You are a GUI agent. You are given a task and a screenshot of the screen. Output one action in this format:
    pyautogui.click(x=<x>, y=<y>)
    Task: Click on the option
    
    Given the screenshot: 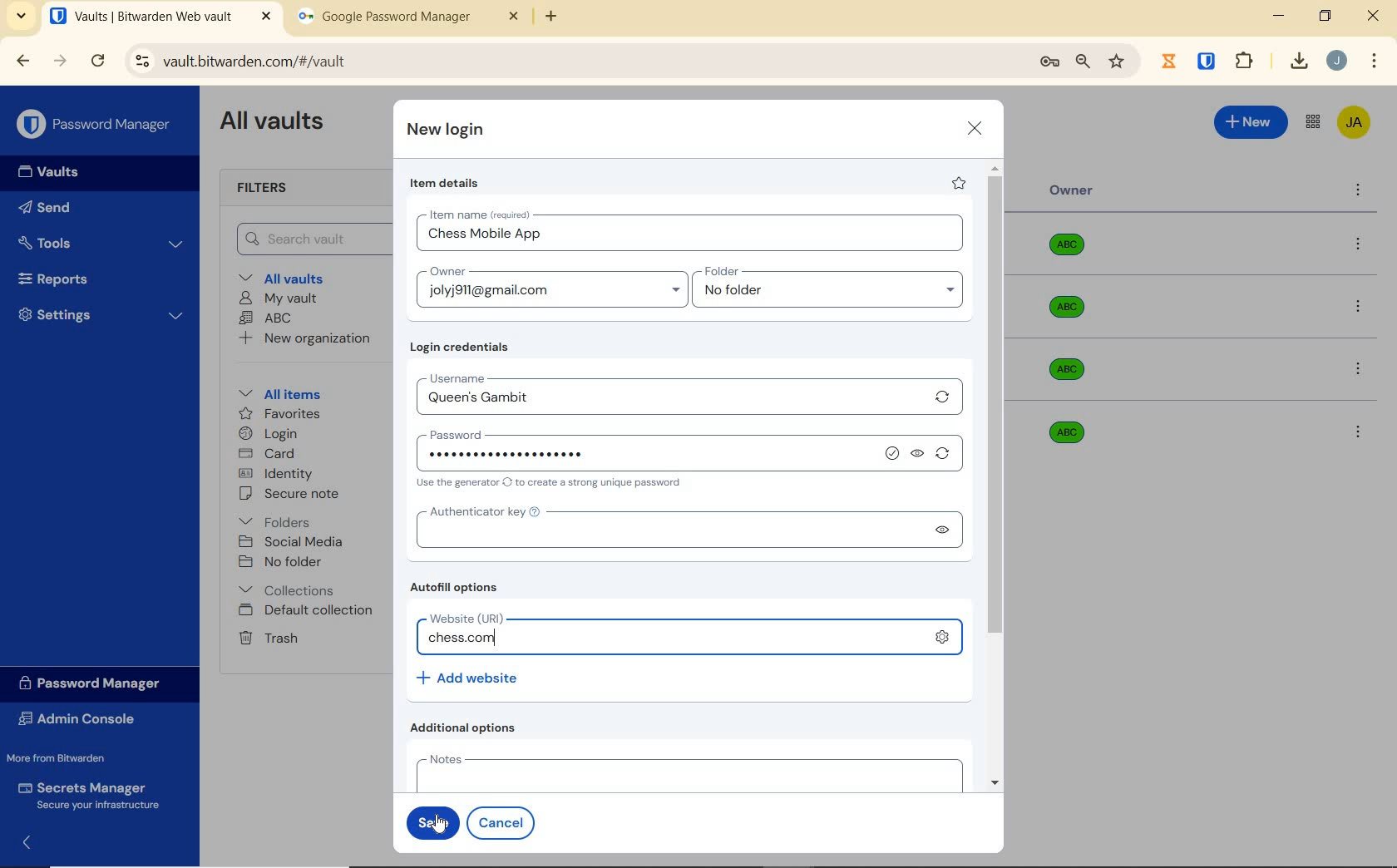 What is the action you would take?
    pyautogui.click(x=1357, y=431)
    